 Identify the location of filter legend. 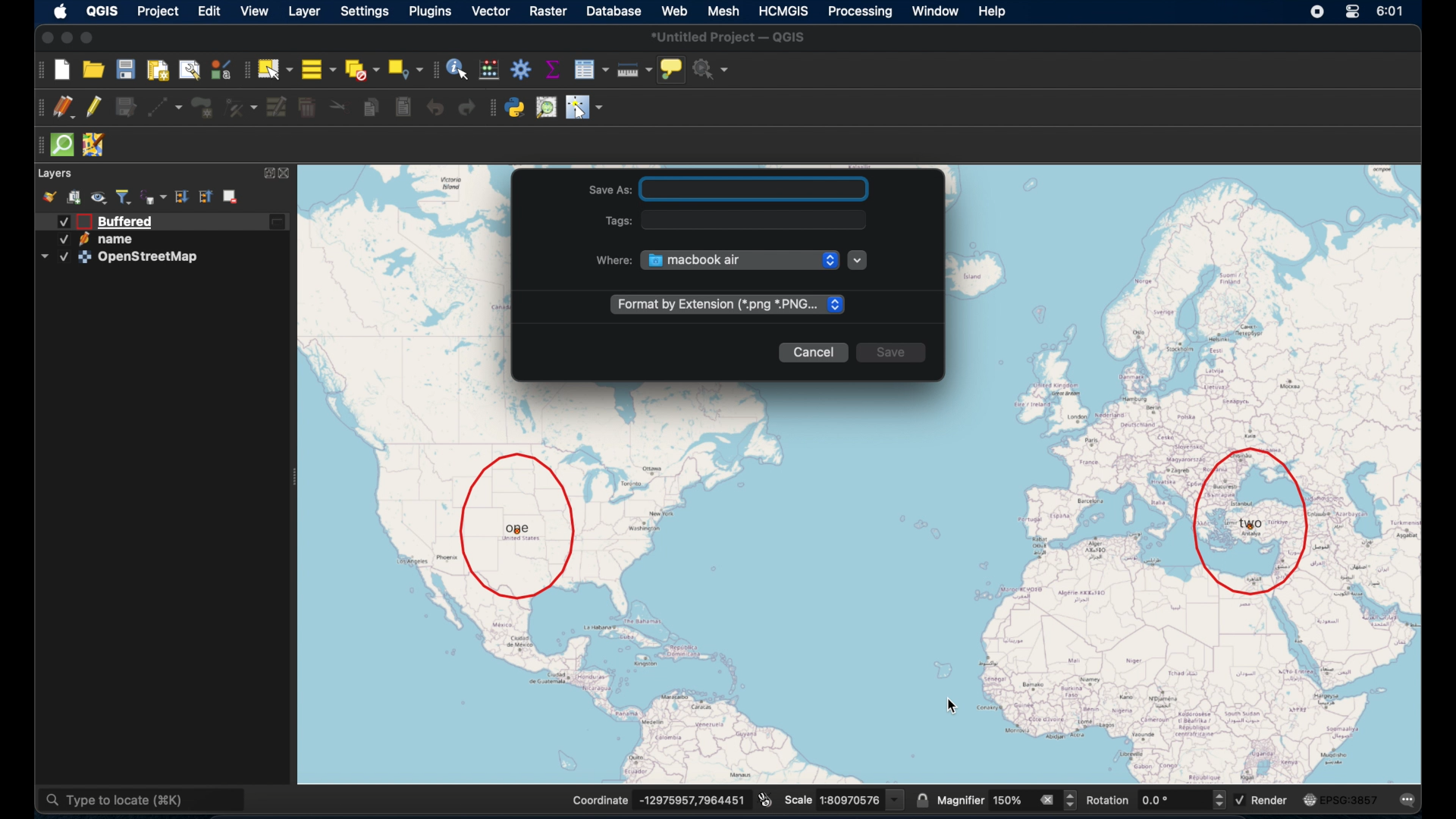
(126, 195).